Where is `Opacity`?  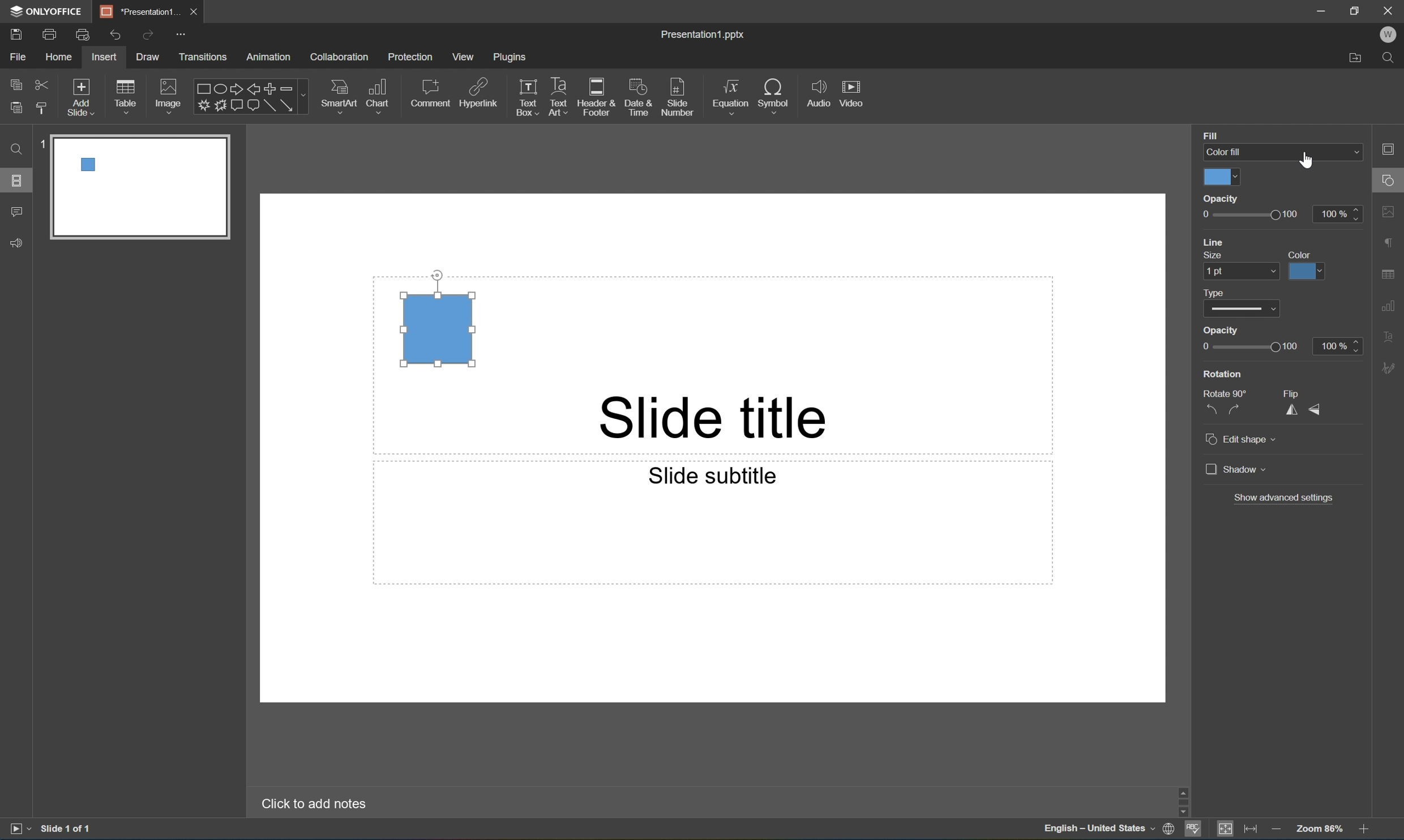
Opacity is located at coordinates (1222, 199).